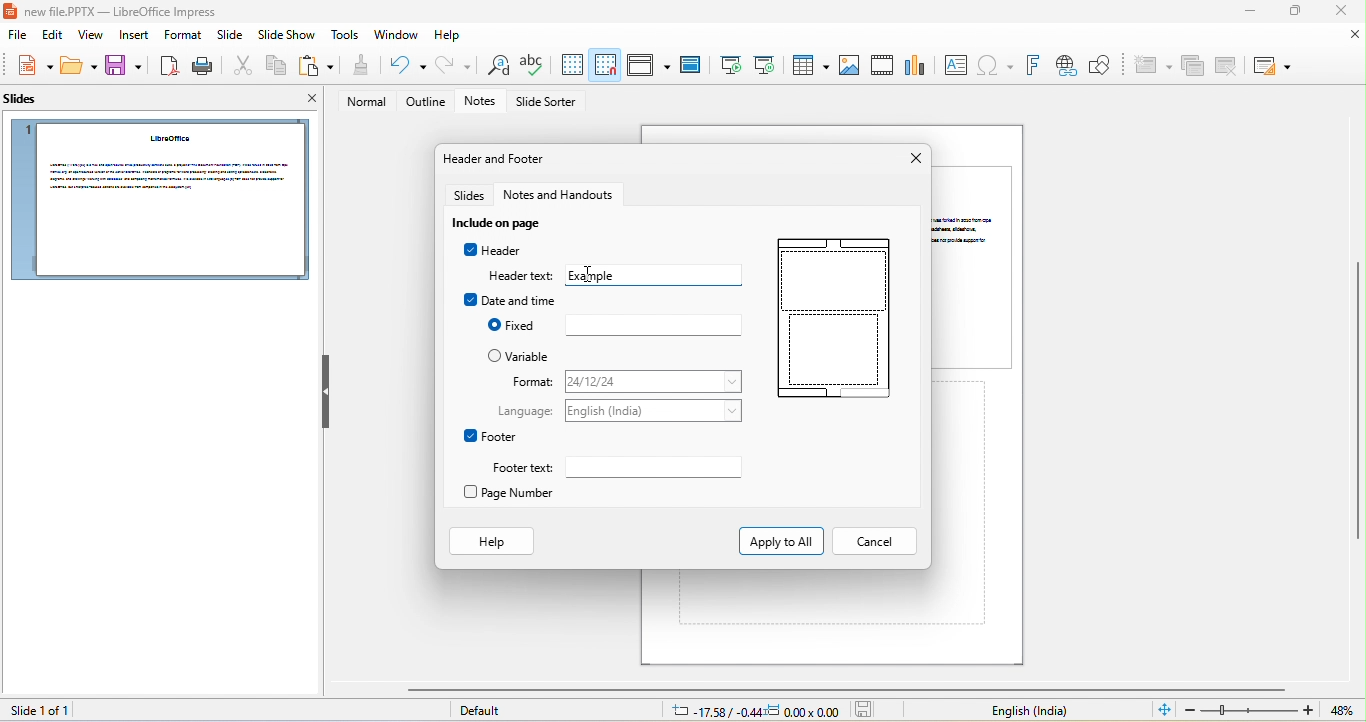 This screenshot has height=722, width=1366. What do you see at coordinates (167, 66) in the screenshot?
I see `export directly as pdf` at bounding box center [167, 66].